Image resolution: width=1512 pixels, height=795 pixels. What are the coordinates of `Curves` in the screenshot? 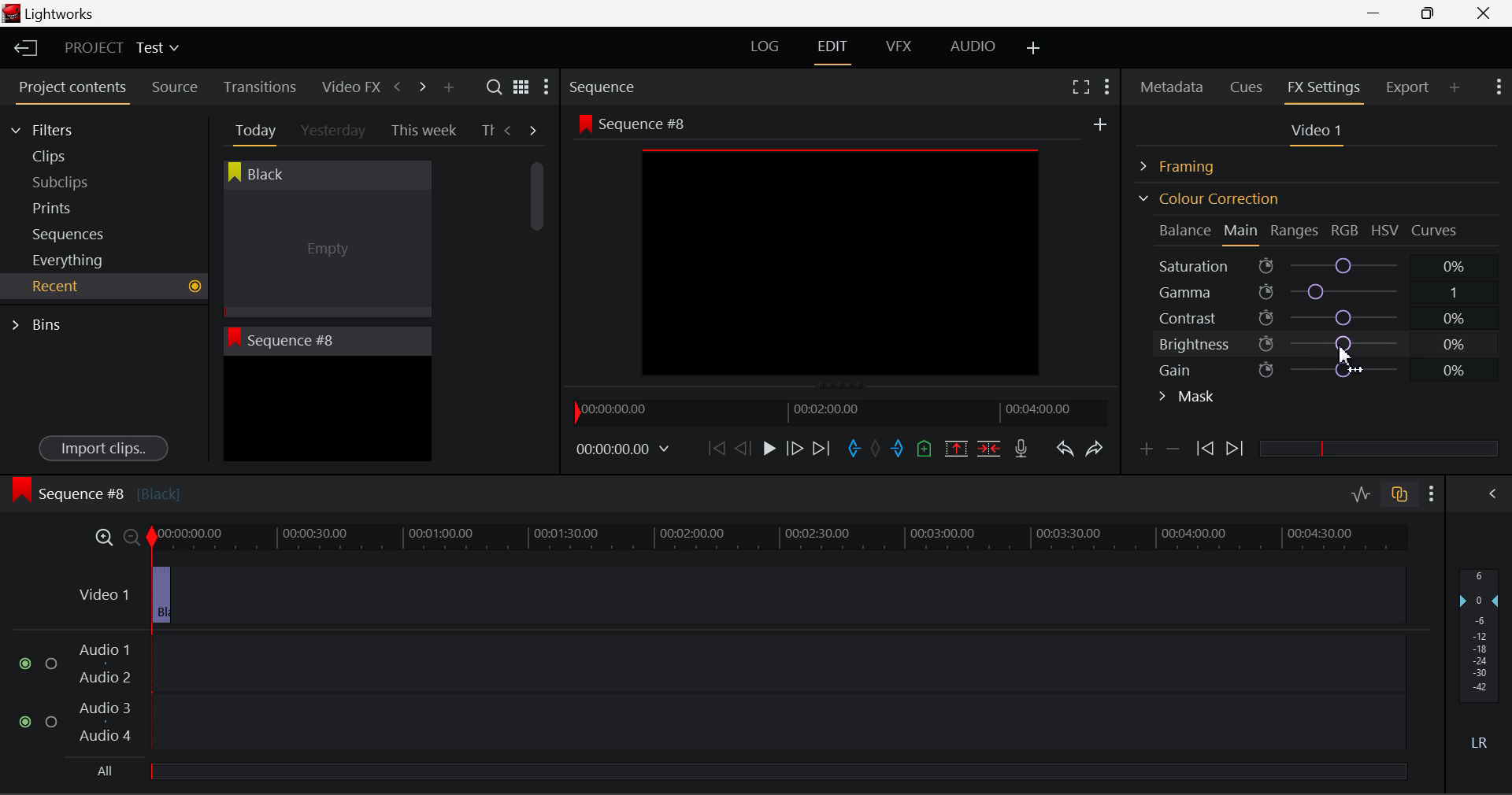 It's located at (1436, 230).